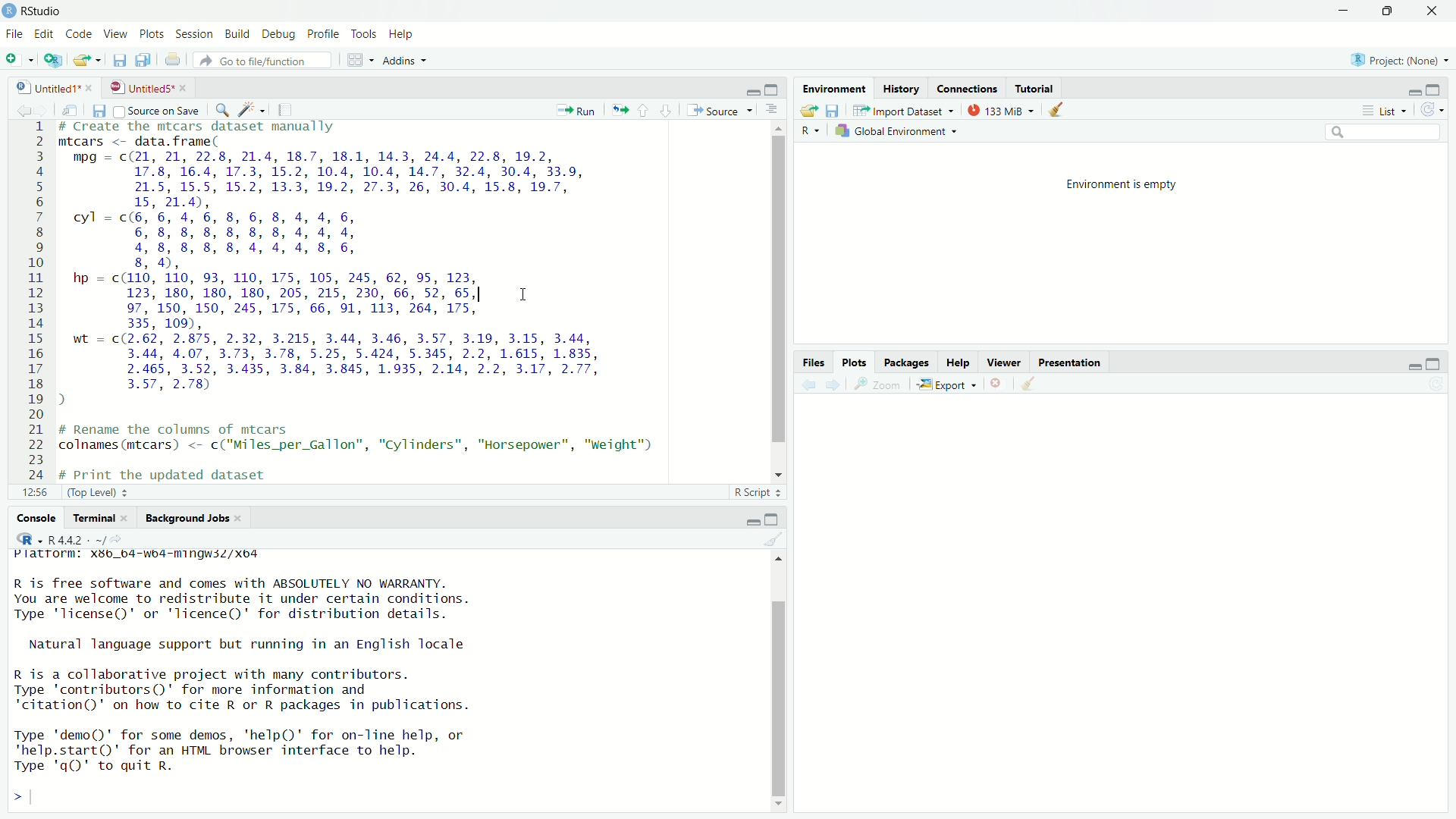 This screenshot has height=819, width=1456. What do you see at coordinates (748, 519) in the screenshot?
I see `minimise` at bounding box center [748, 519].